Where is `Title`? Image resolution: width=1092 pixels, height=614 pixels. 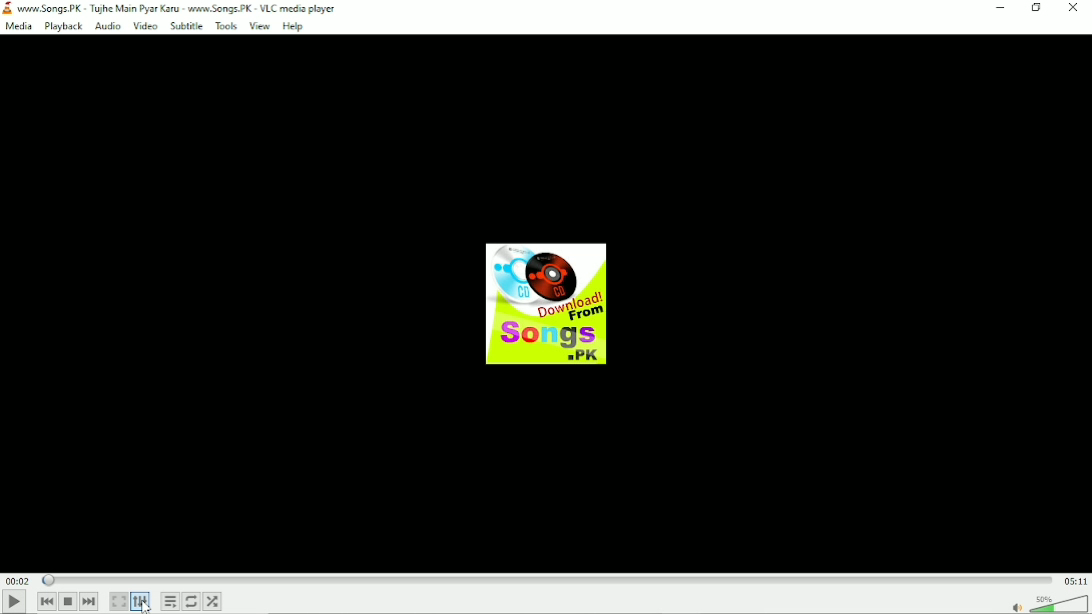 Title is located at coordinates (172, 8).